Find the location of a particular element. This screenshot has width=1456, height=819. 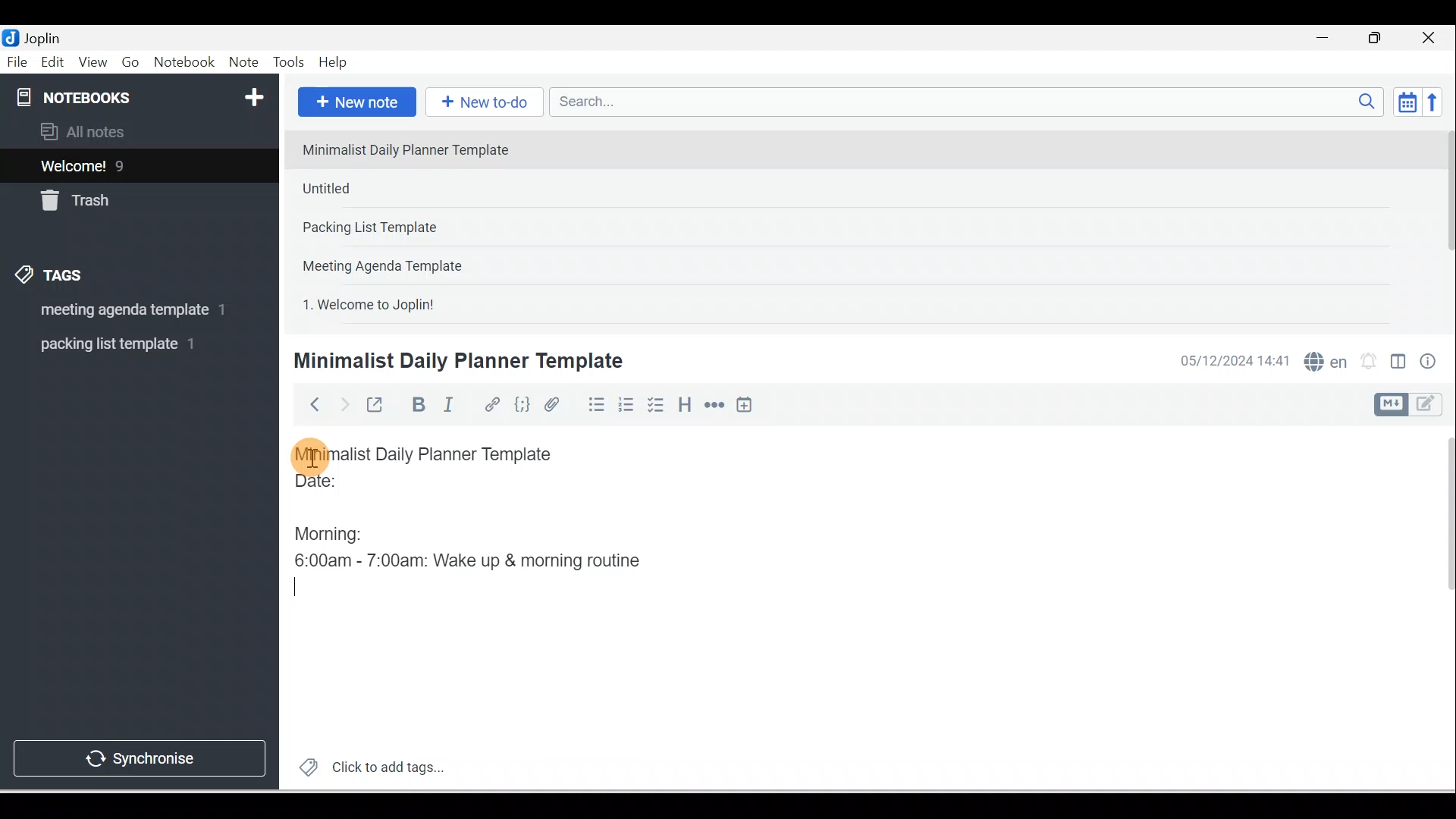

Set alarm is located at coordinates (1367, 362).